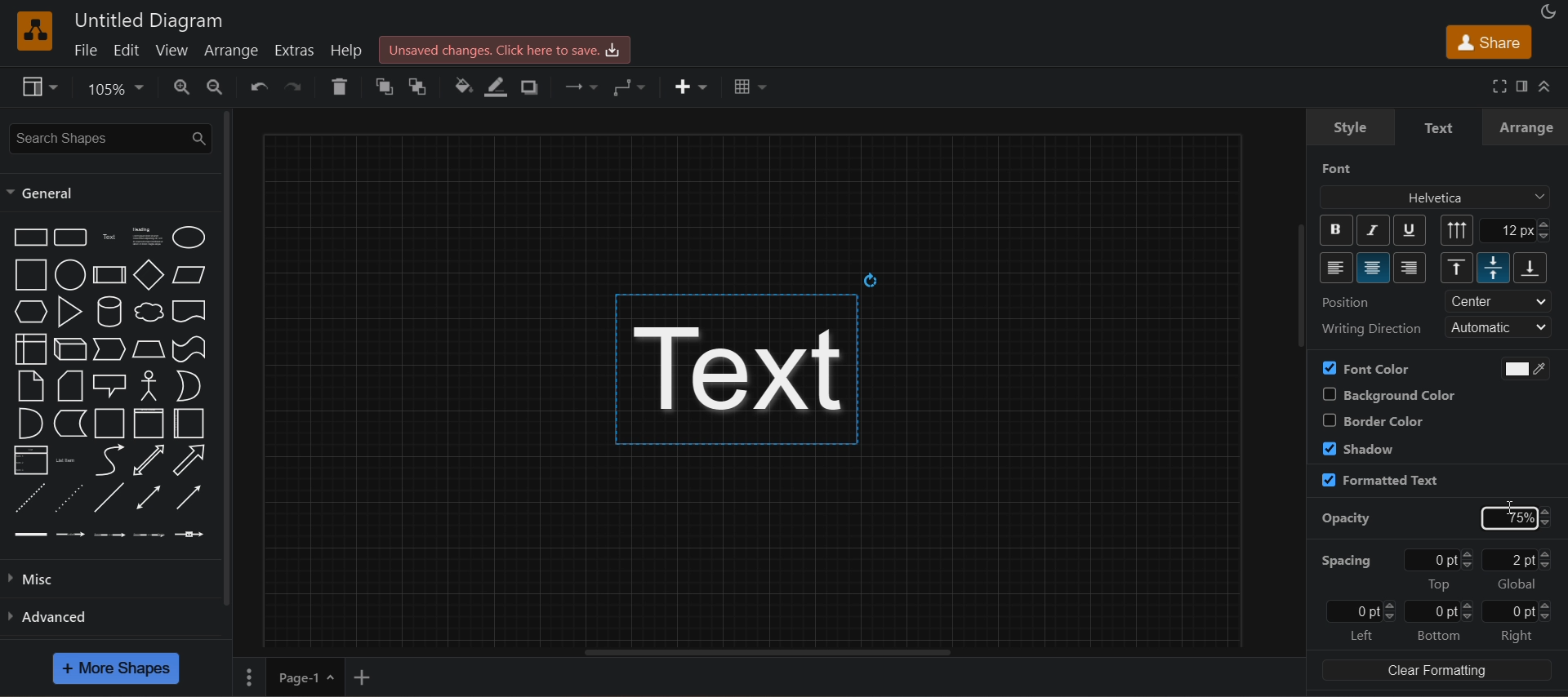 This screenshot has width=1568, height=697. Describe the element at coordinates (29, 348) in the screenshot. I see `internal storage` at that location.